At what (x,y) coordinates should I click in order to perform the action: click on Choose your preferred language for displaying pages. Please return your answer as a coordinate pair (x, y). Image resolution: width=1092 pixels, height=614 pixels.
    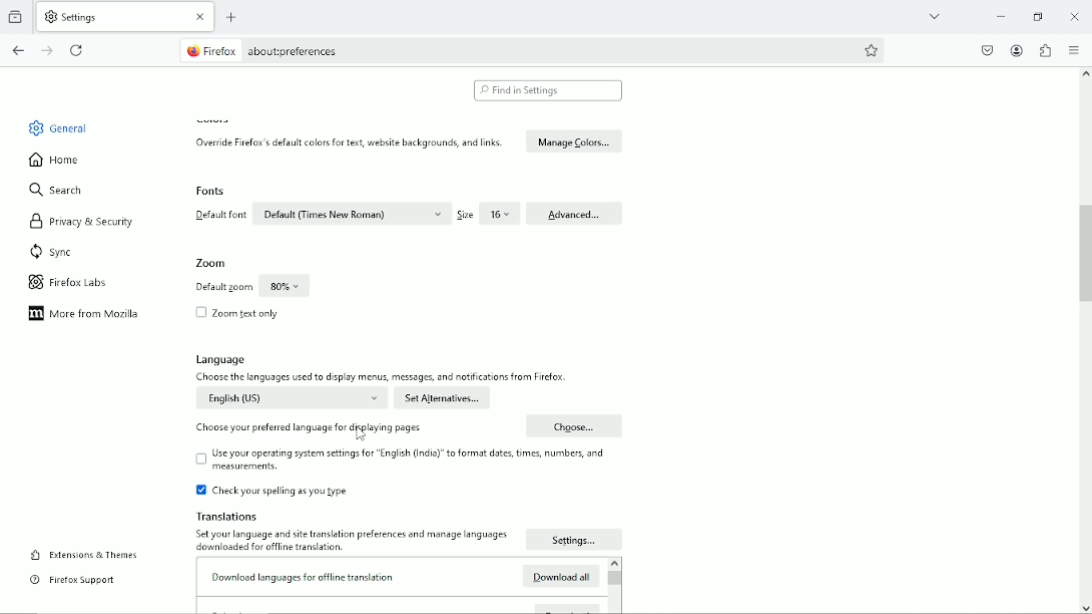
    Looking at the image, I should click on (308, 428).